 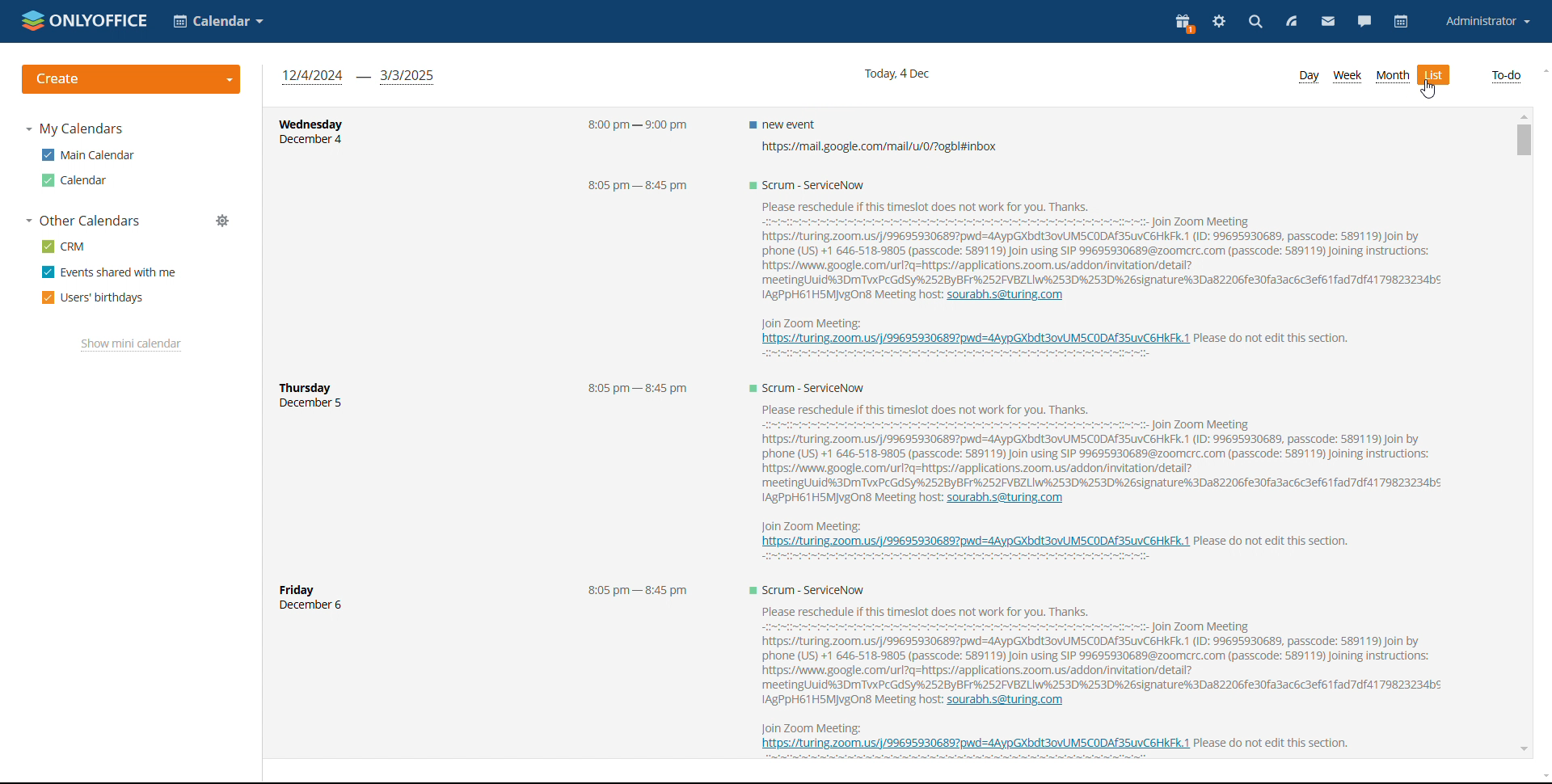 What do you see at coordinates (972, 746) in the screenshot?
I see `bttps:/turing.zoom.us/)/99695930689?pwd=4AypGXbdt3ovUMSCODAF3SUVCEHKFK,` at bounding box center [972, 746].